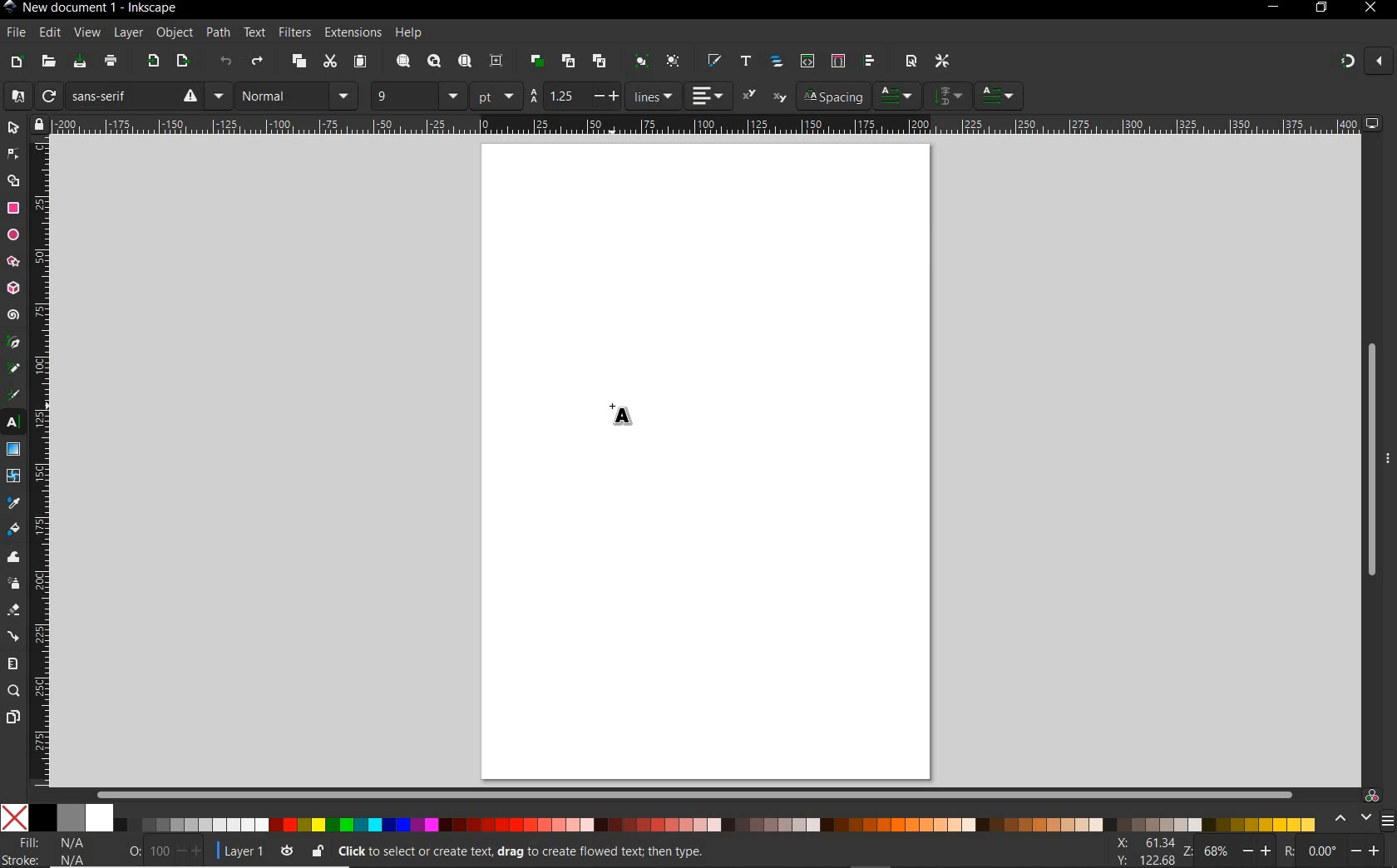 This screenshot has width=1397, height=868. I want to click on menu, so click(1387, 821).